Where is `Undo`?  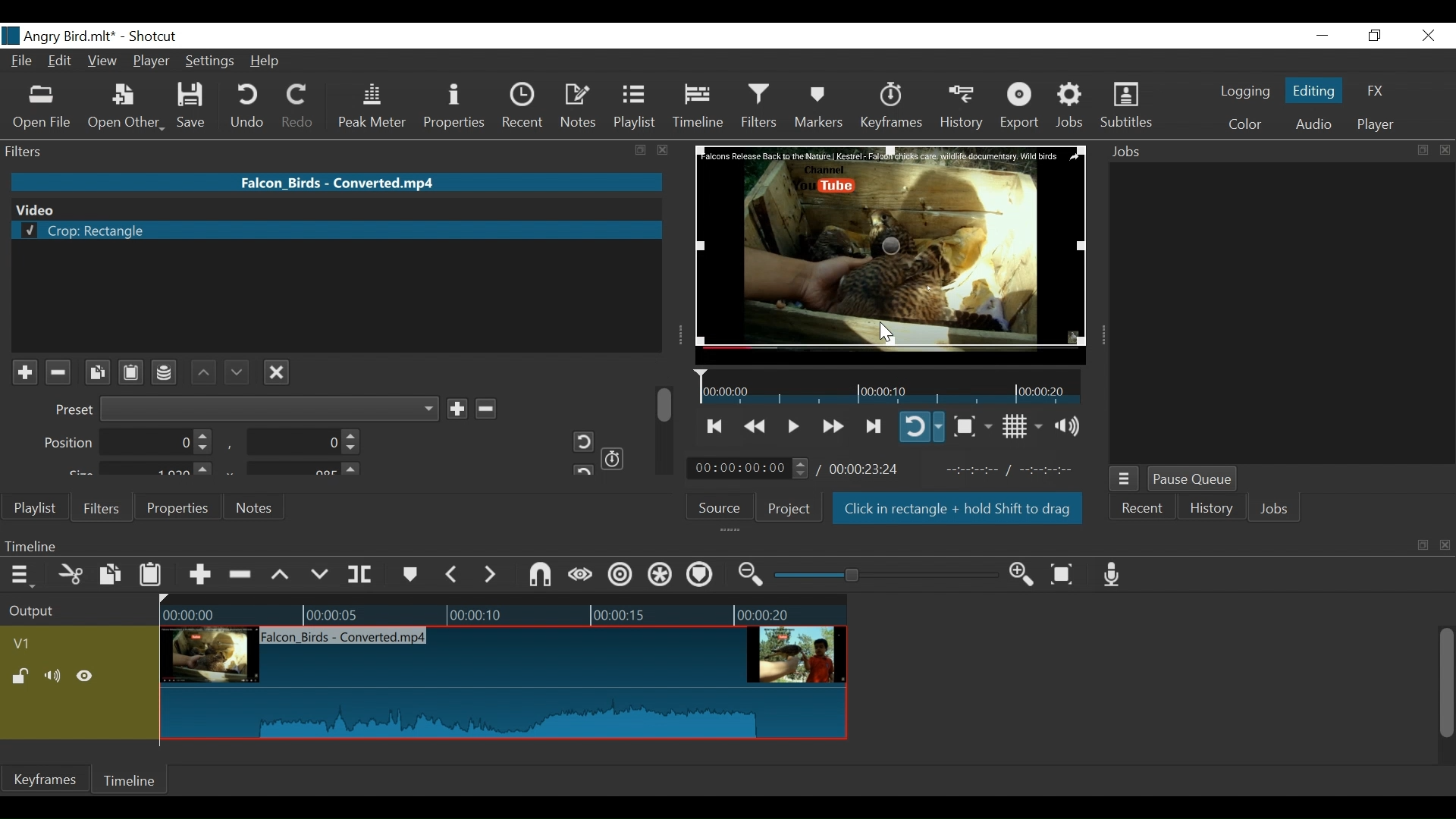 Undo is located at coordinates (249, 106).